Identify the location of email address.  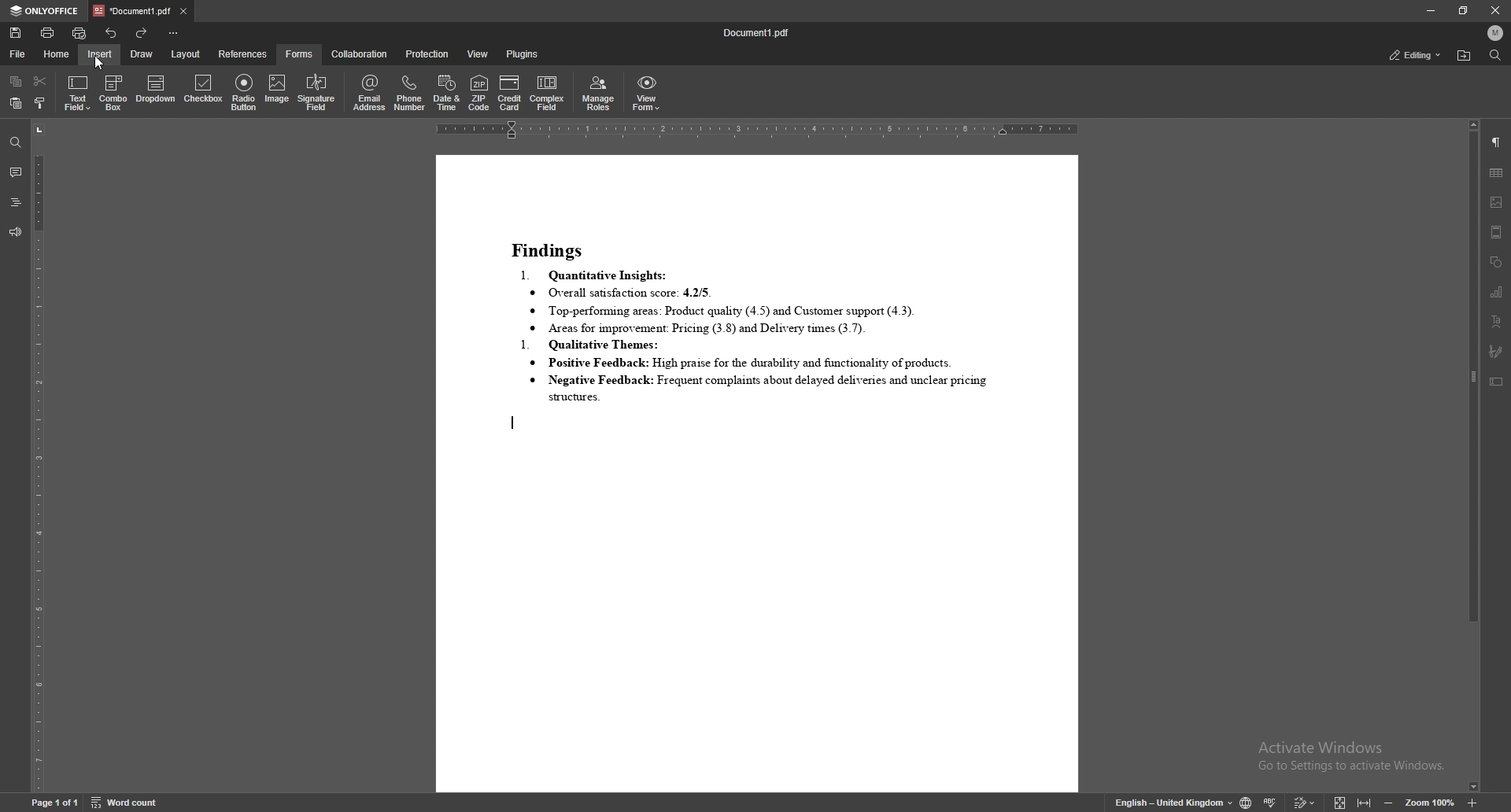
(371, 90).